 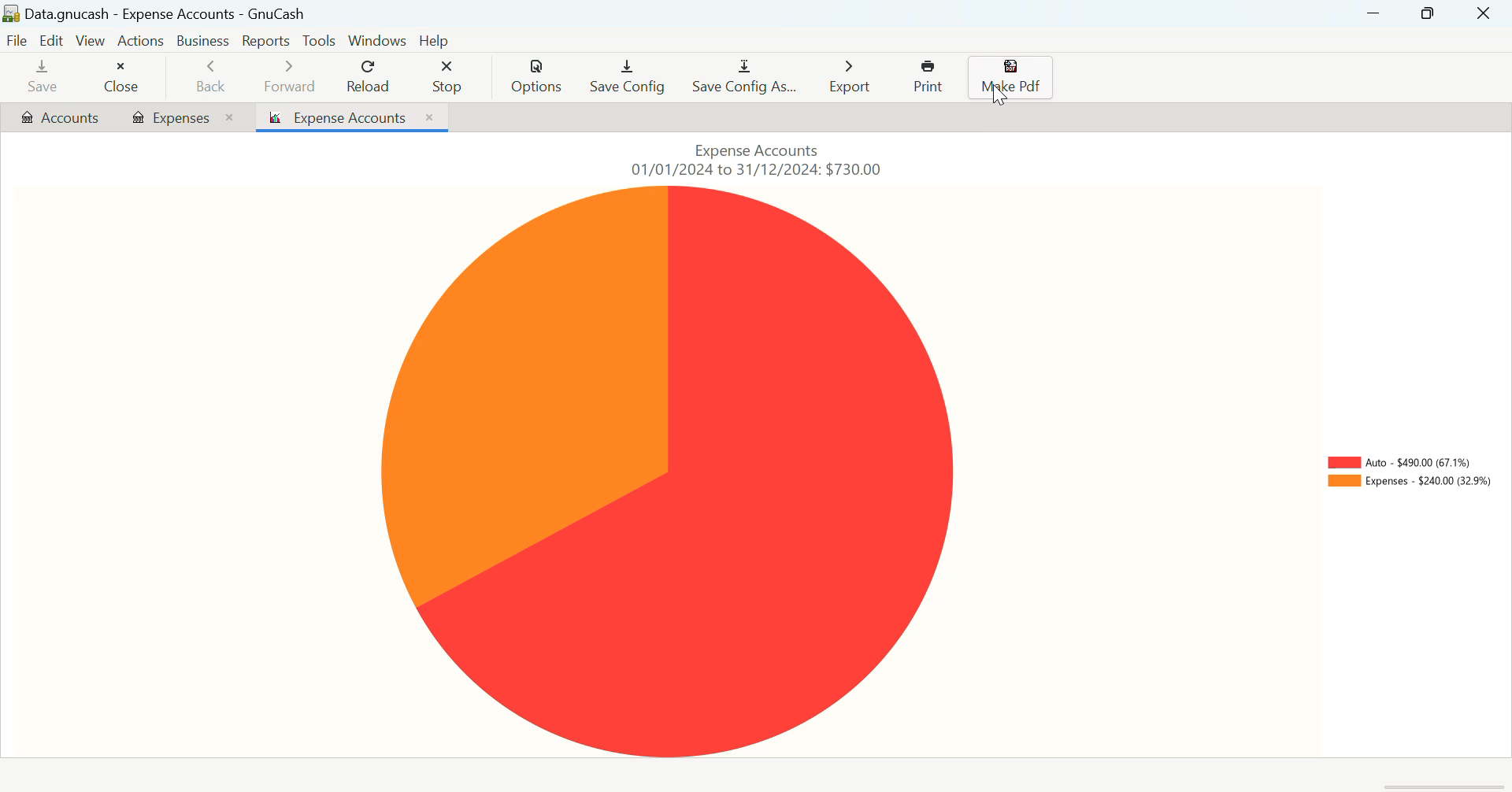 I want to click on Piechart Visual Representation, so click(x=727, y=472).